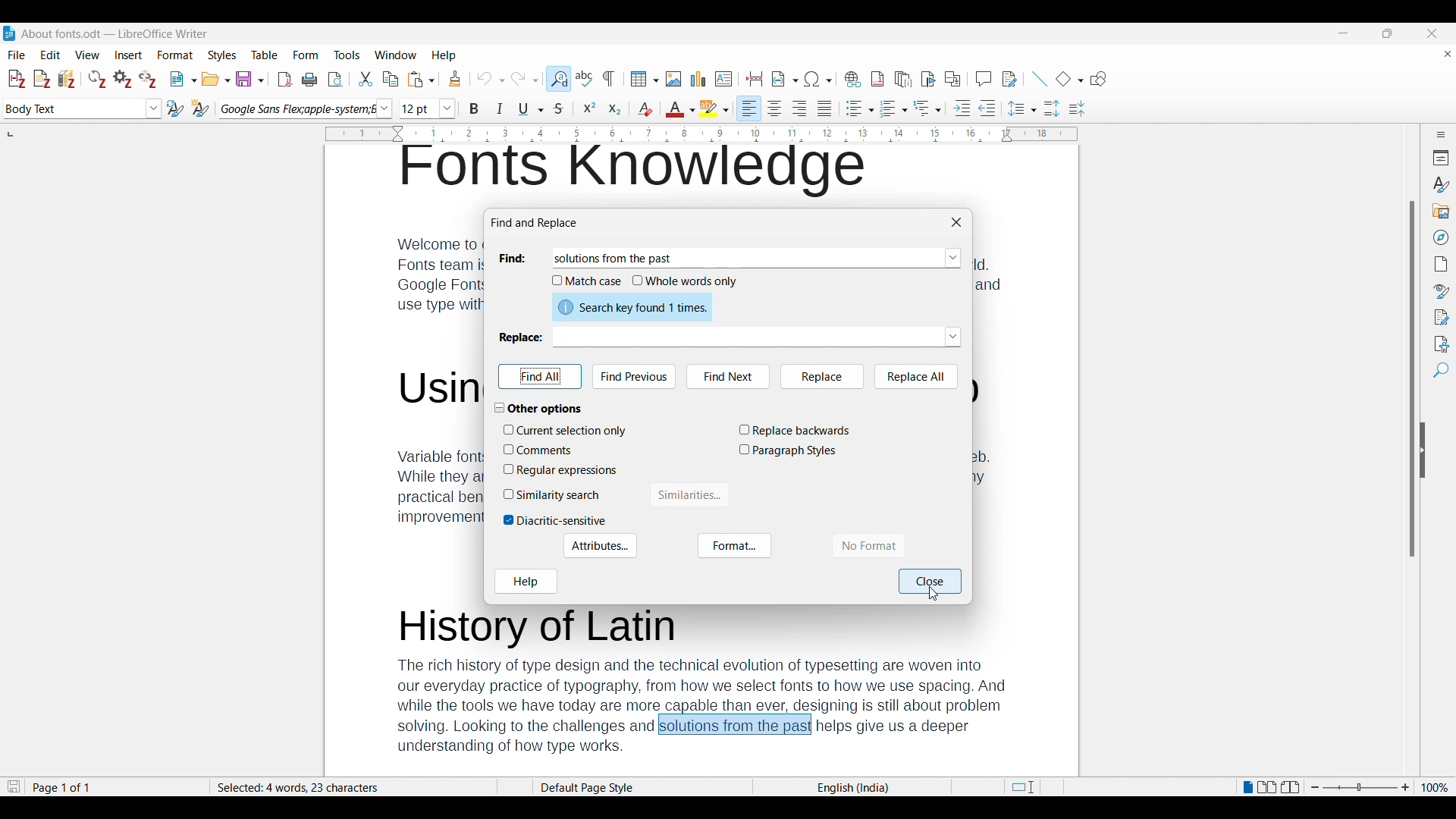 The width and height of the screenshot is (1456, 819). What do you see at coordinates (447, 109) in the screenshot?
I see `Text size options` at bounding box center [447, 109].